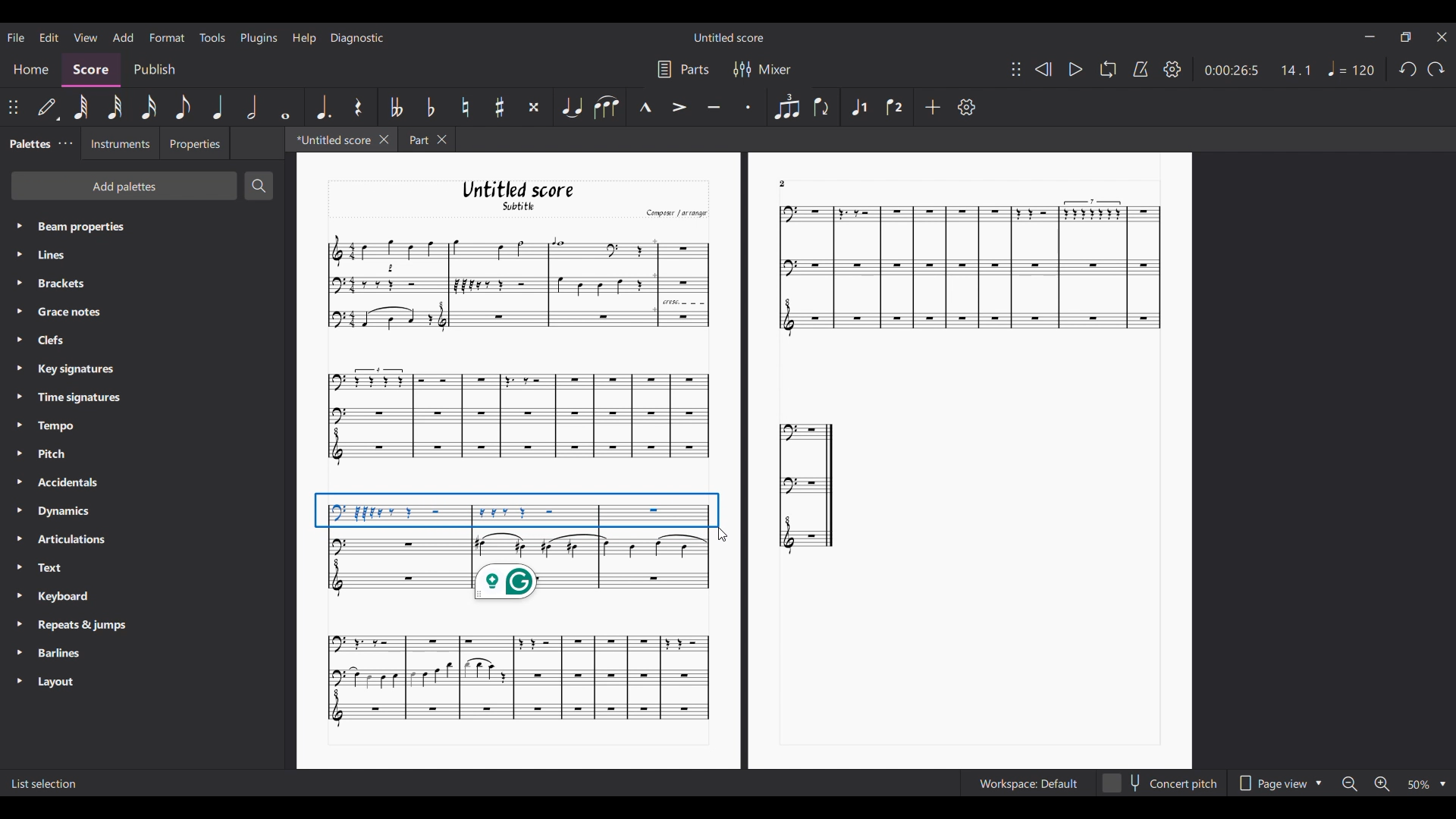 The width and height of the screenshot is (1456, 819). I want to click on Change position, so click(14, 108).